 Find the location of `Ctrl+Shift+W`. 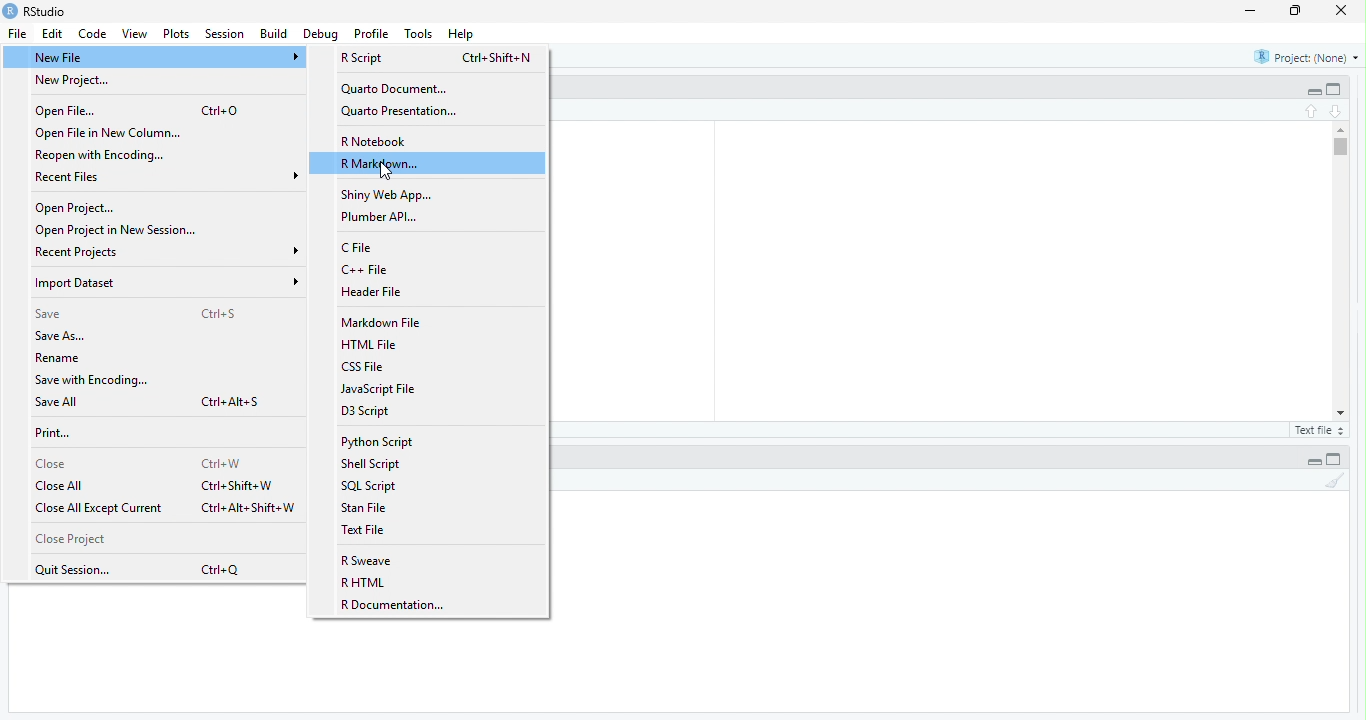

Ctrl+Shift+W is located at coordinates (240, 485).